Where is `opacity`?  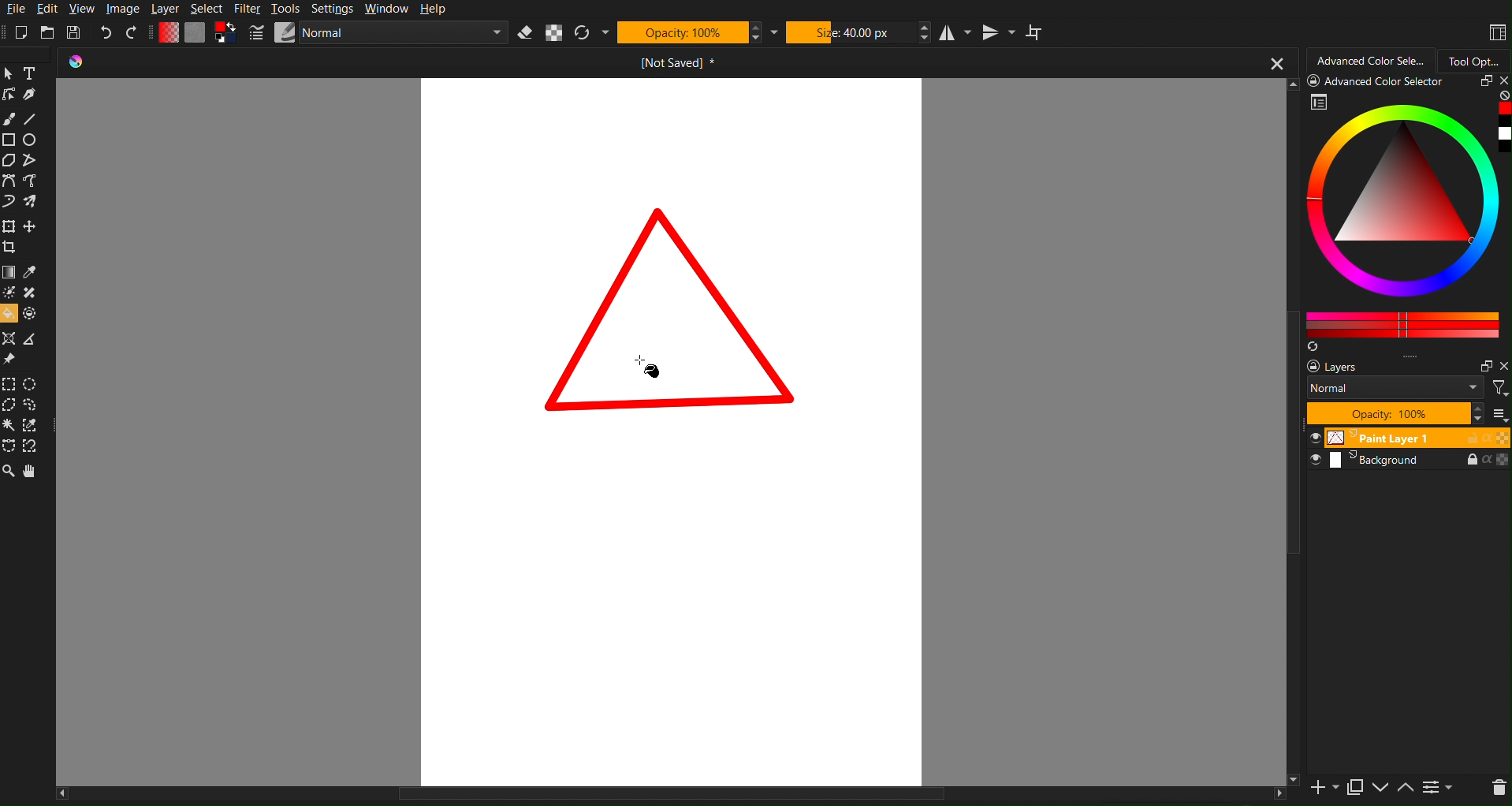 opacity is located at coordinates (1394, 413).